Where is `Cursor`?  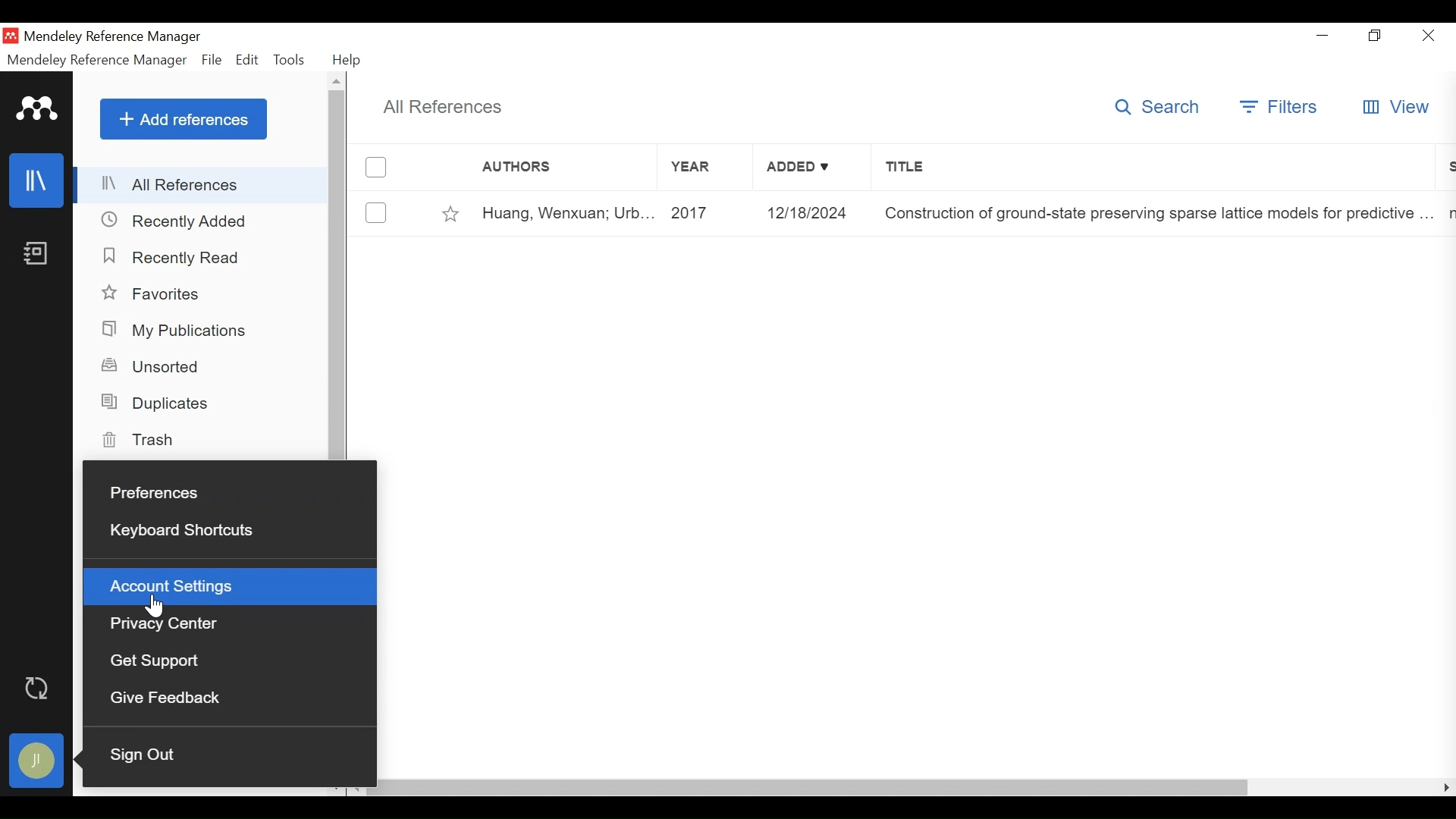 Cursor is located at coordinates (158, 607).